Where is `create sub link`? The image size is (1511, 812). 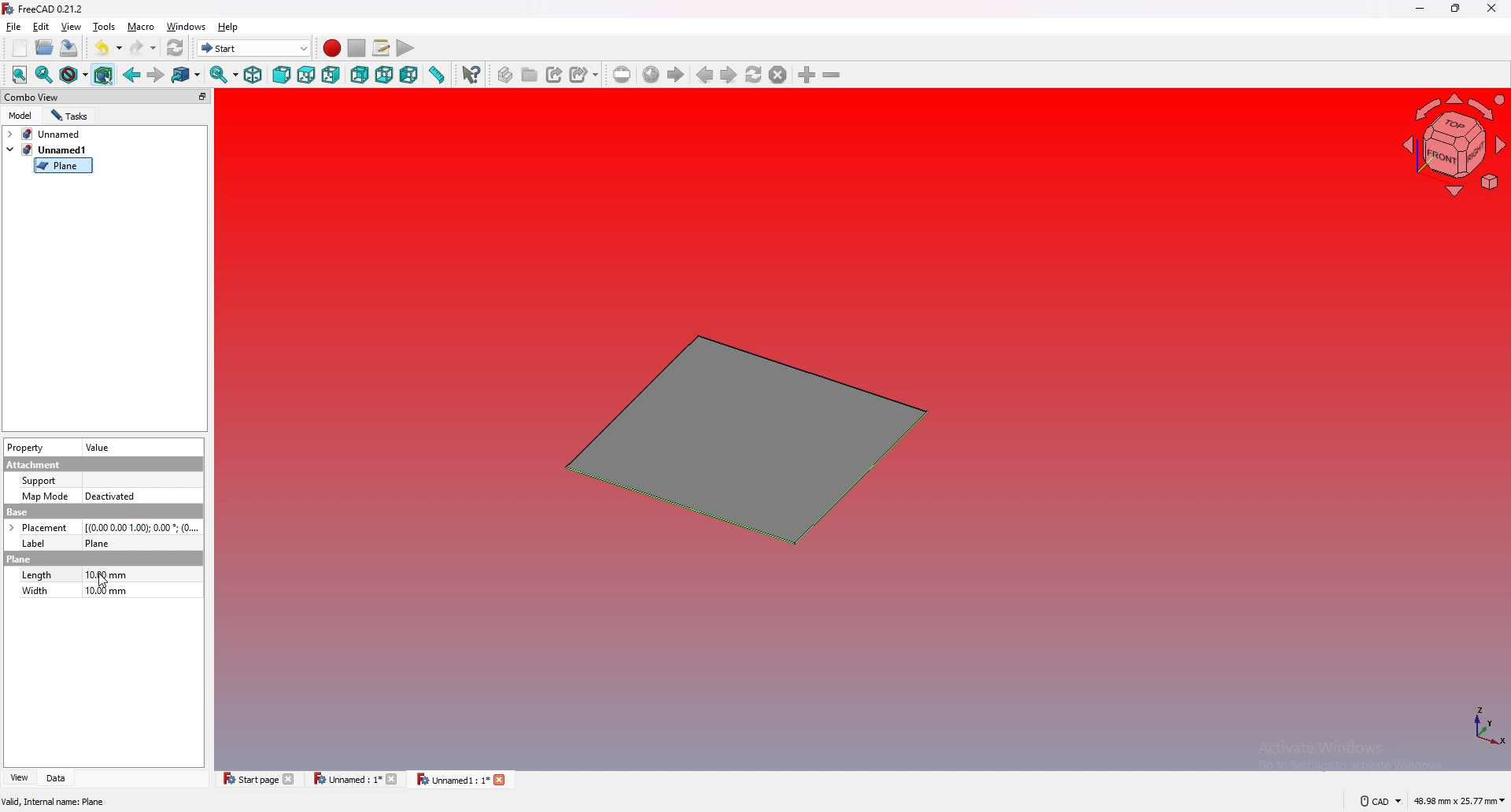
create sub link is located at coordinates (585, 75).